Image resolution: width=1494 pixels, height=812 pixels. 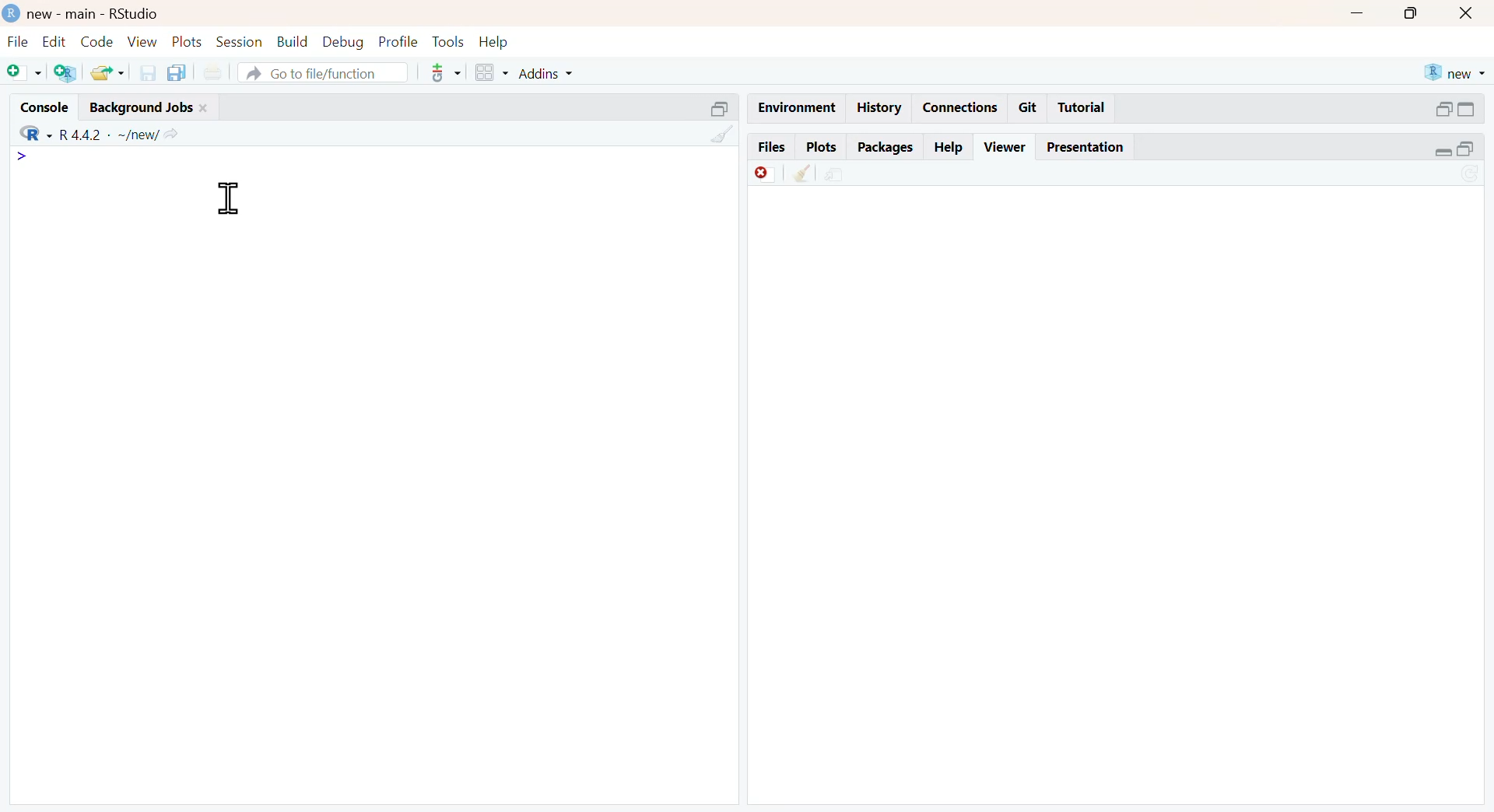 I want to click on print, so click(x=213, y=73).